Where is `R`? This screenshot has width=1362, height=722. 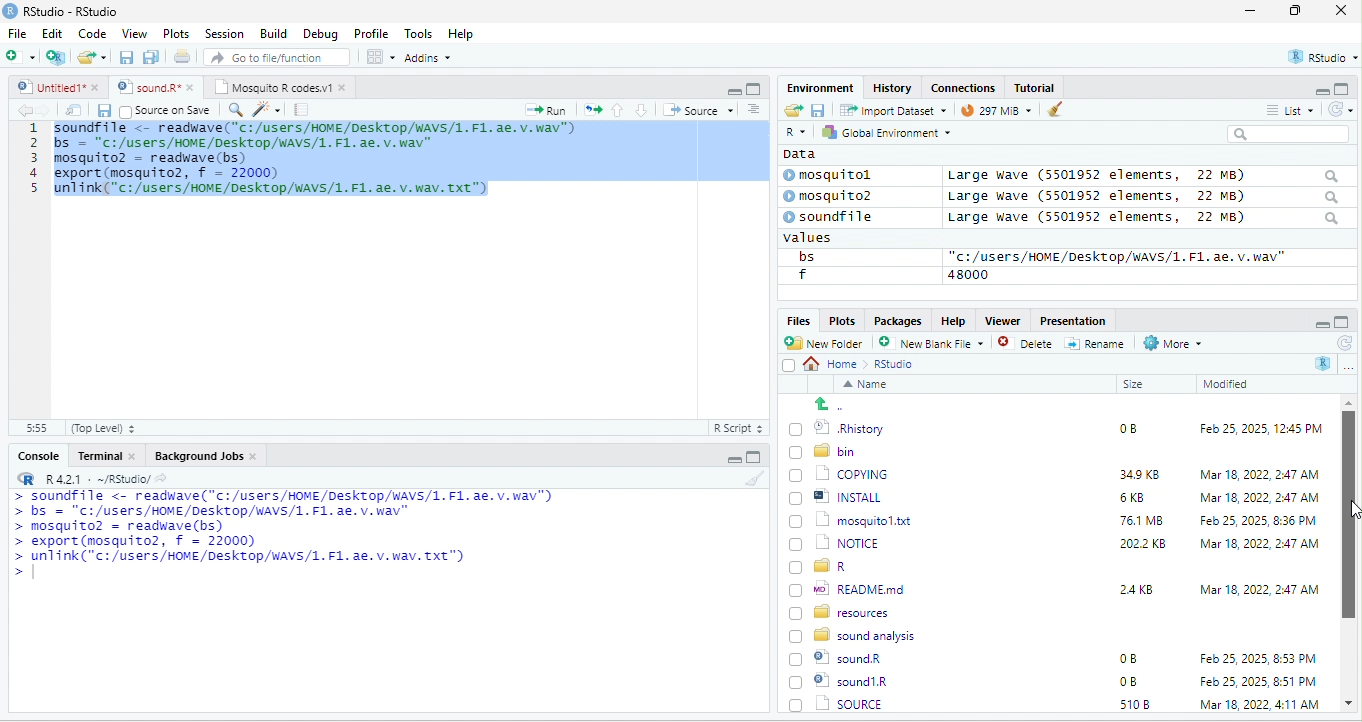
R is located at coordinates (794, 133).